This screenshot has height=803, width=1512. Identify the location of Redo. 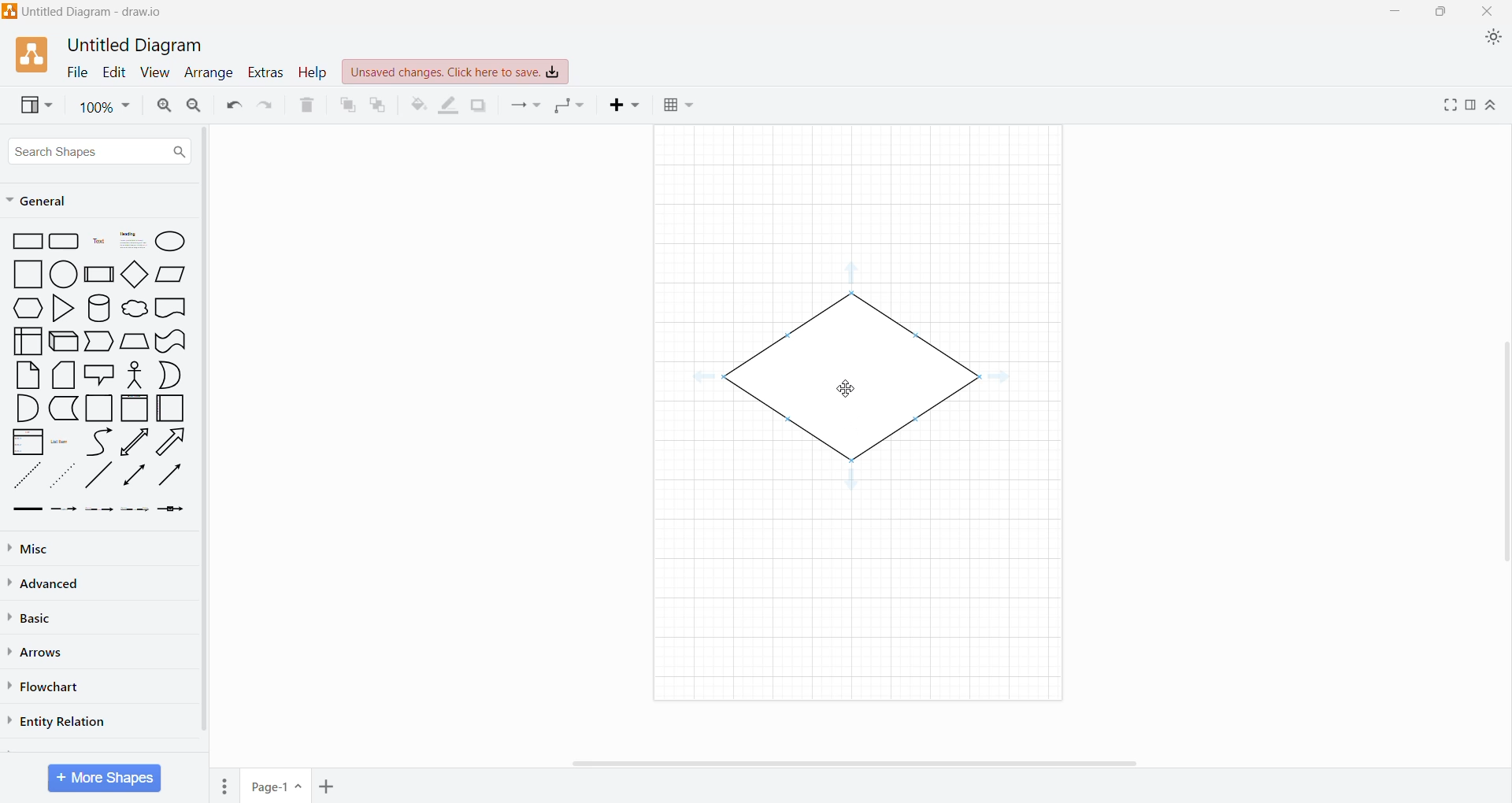
(265, 105).